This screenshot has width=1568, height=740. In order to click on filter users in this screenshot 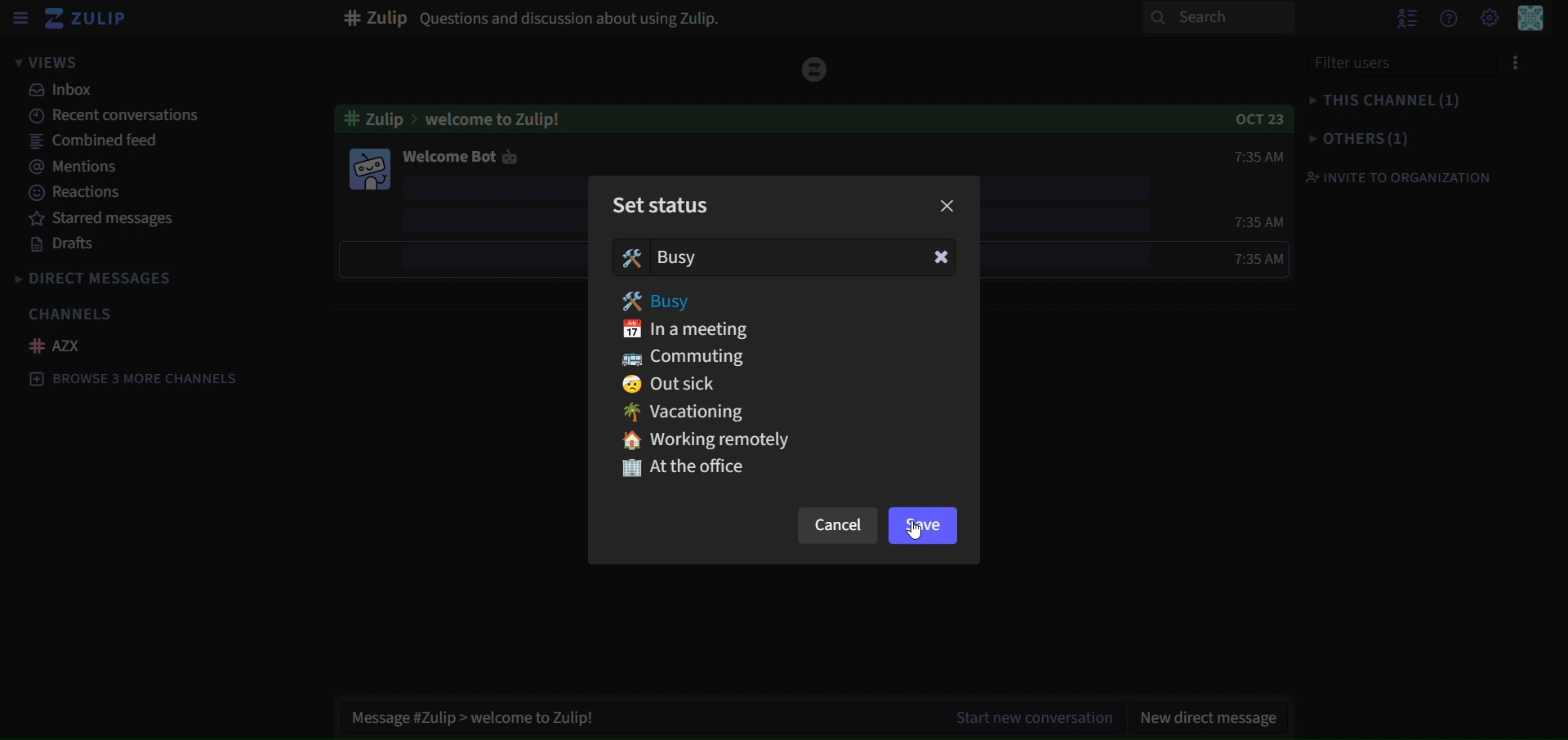, I will do `click(1395, 63)`.